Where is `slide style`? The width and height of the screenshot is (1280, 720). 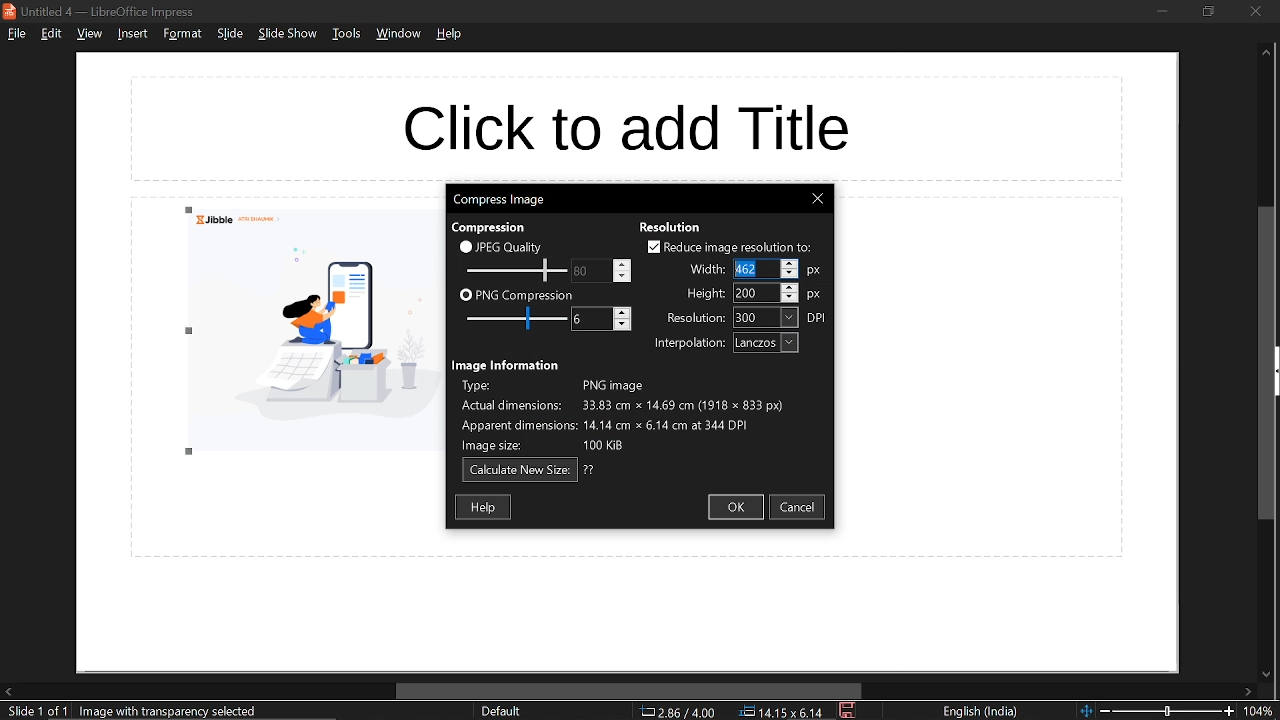 slide style is located at coordinates (501, 711).